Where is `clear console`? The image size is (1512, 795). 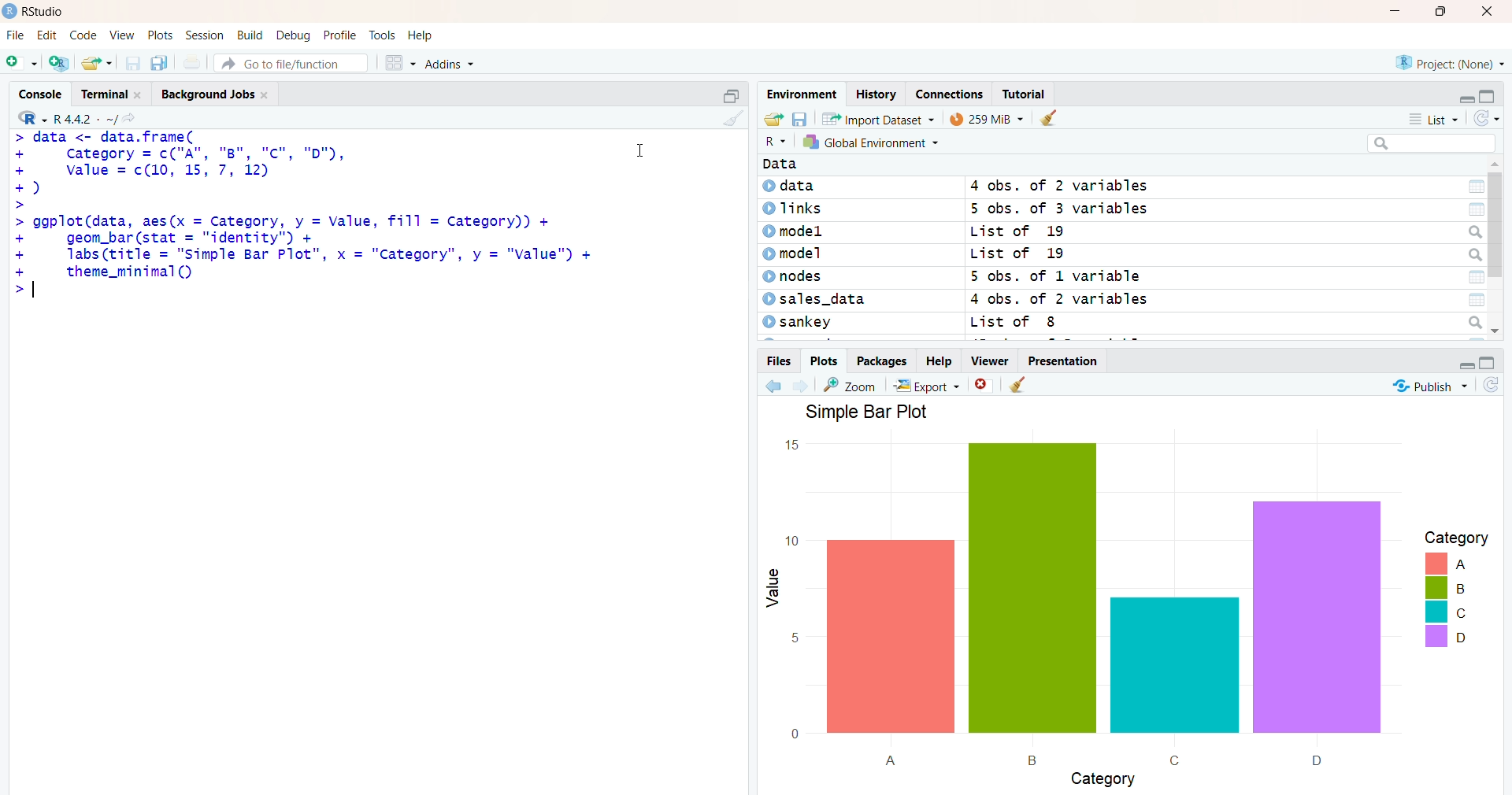 clear console is located at coordinates (731, 119).